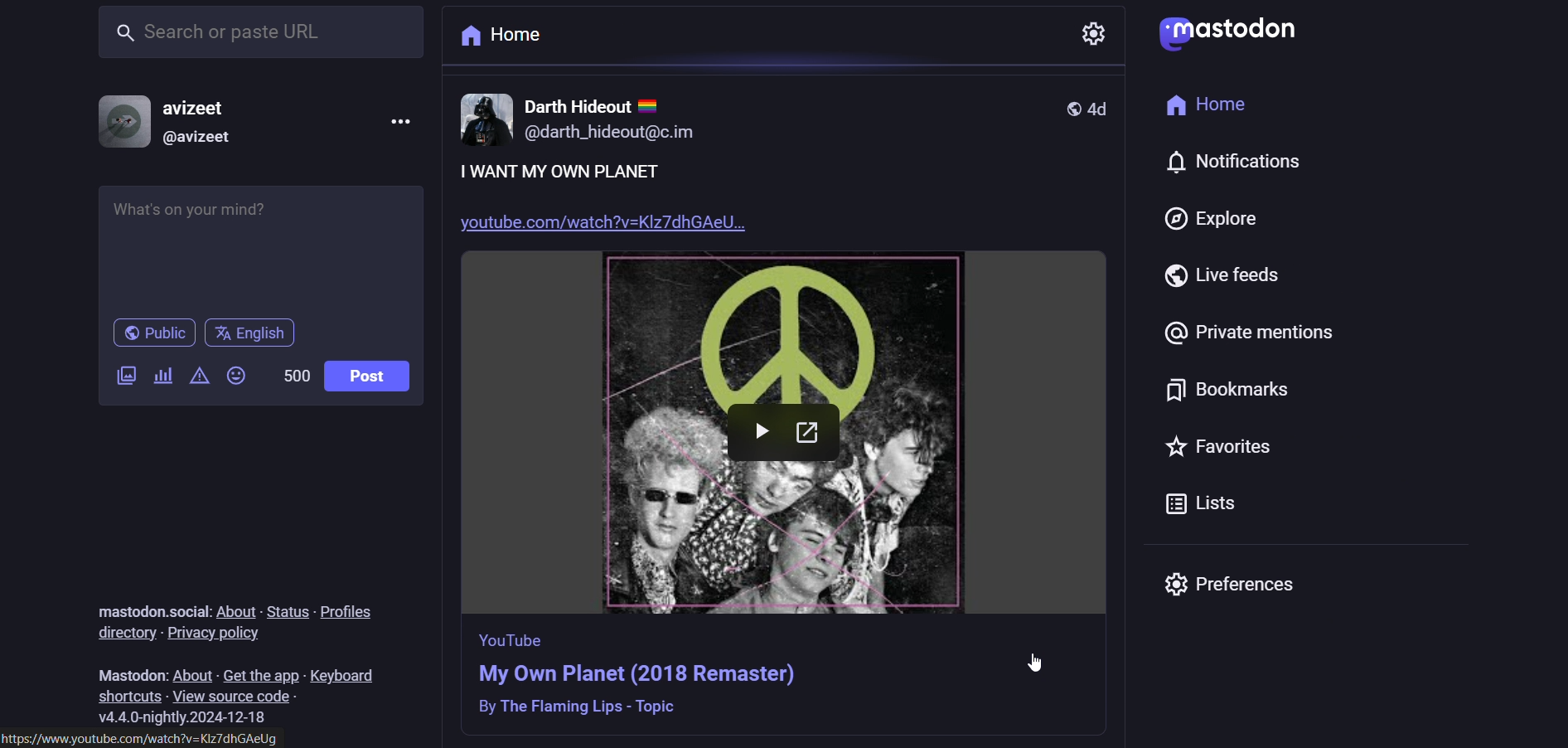  Describe the element at coordinates (1089, 34) in the screenshot. I see `settings` at that location.